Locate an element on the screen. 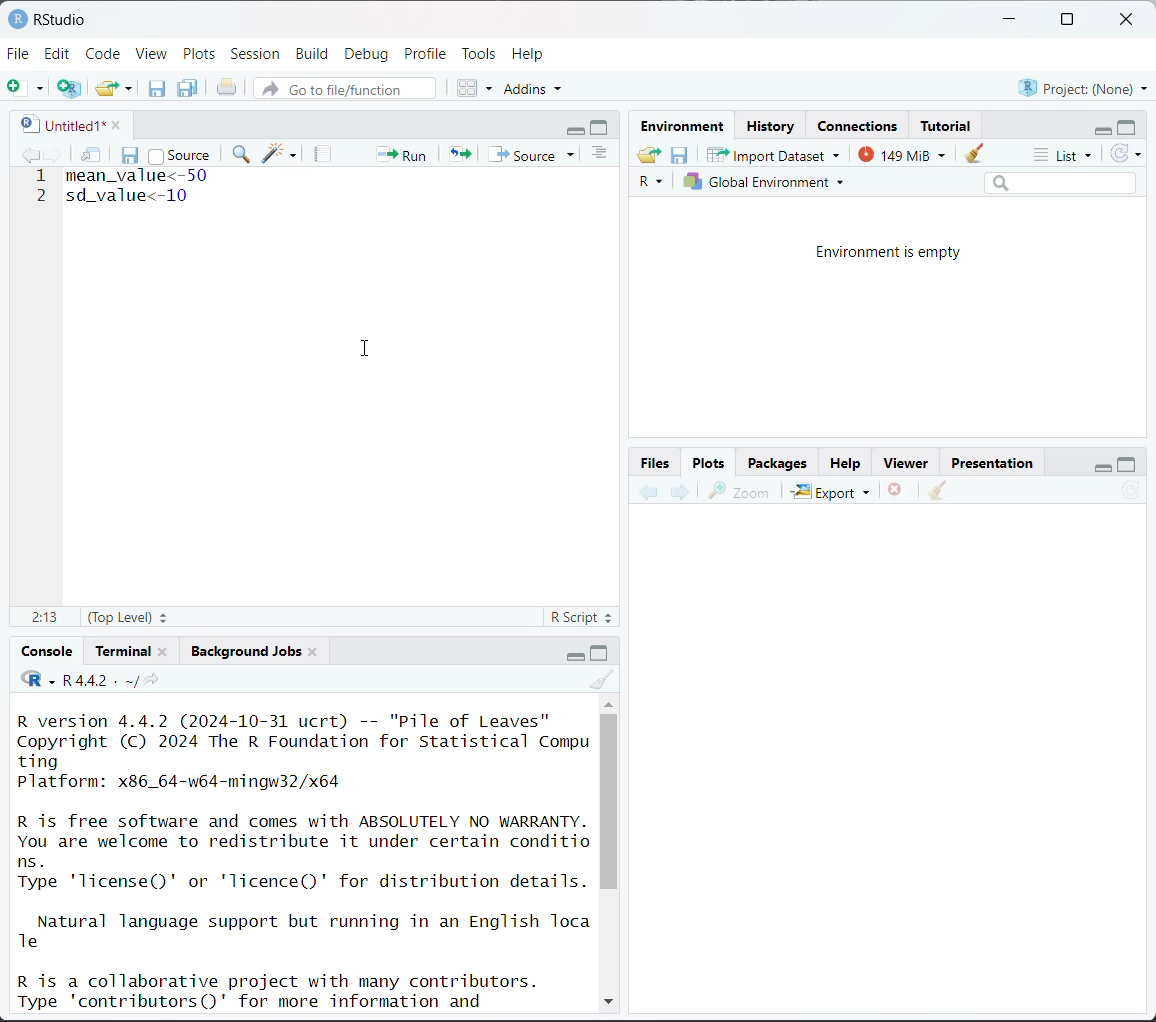 Image resolution: width=1156 pixels, height=1022 pixels. maximize is located at coordinates (1128, 126).